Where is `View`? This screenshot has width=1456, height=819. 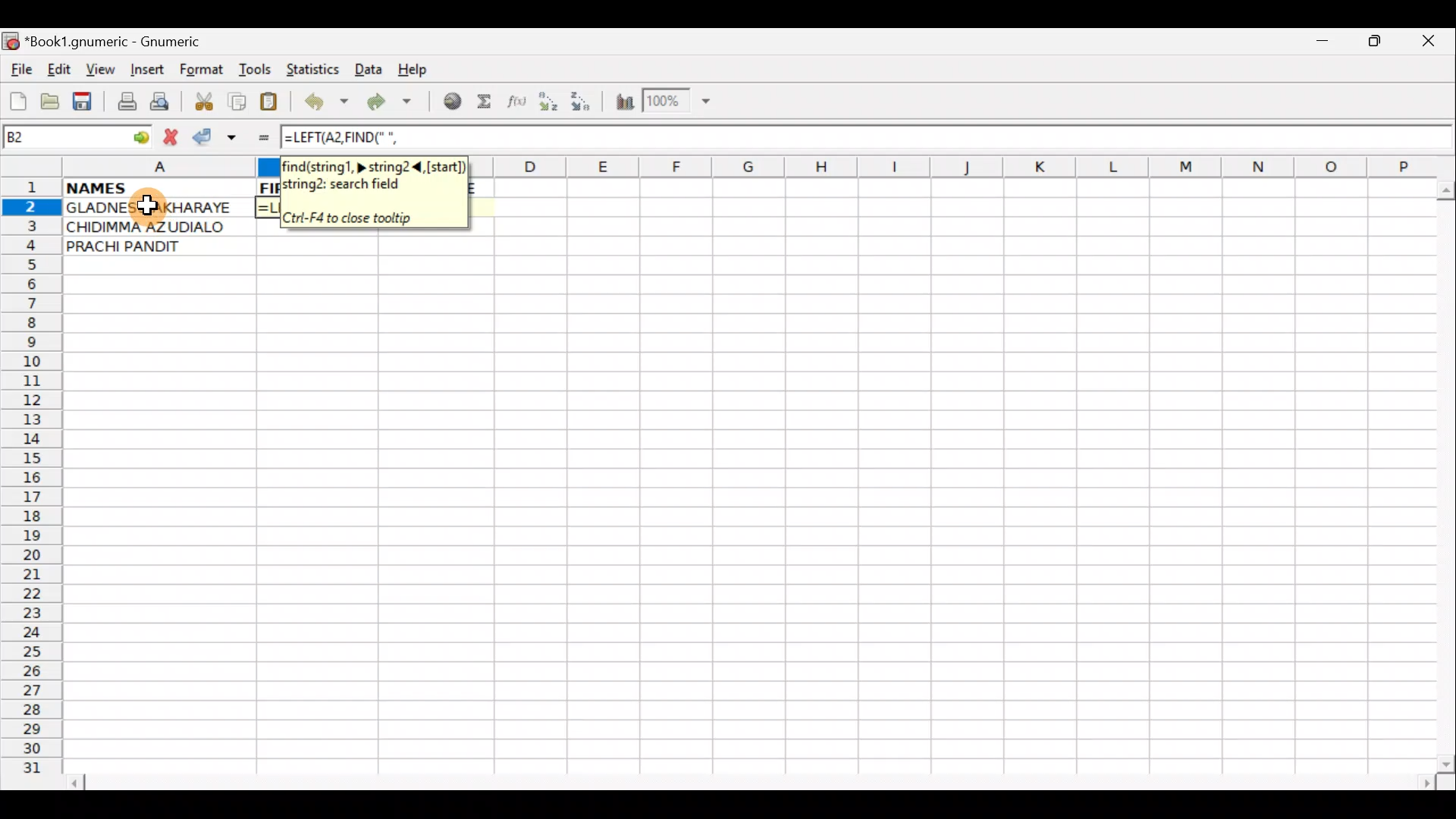 View is located at coordinates (96, 69).